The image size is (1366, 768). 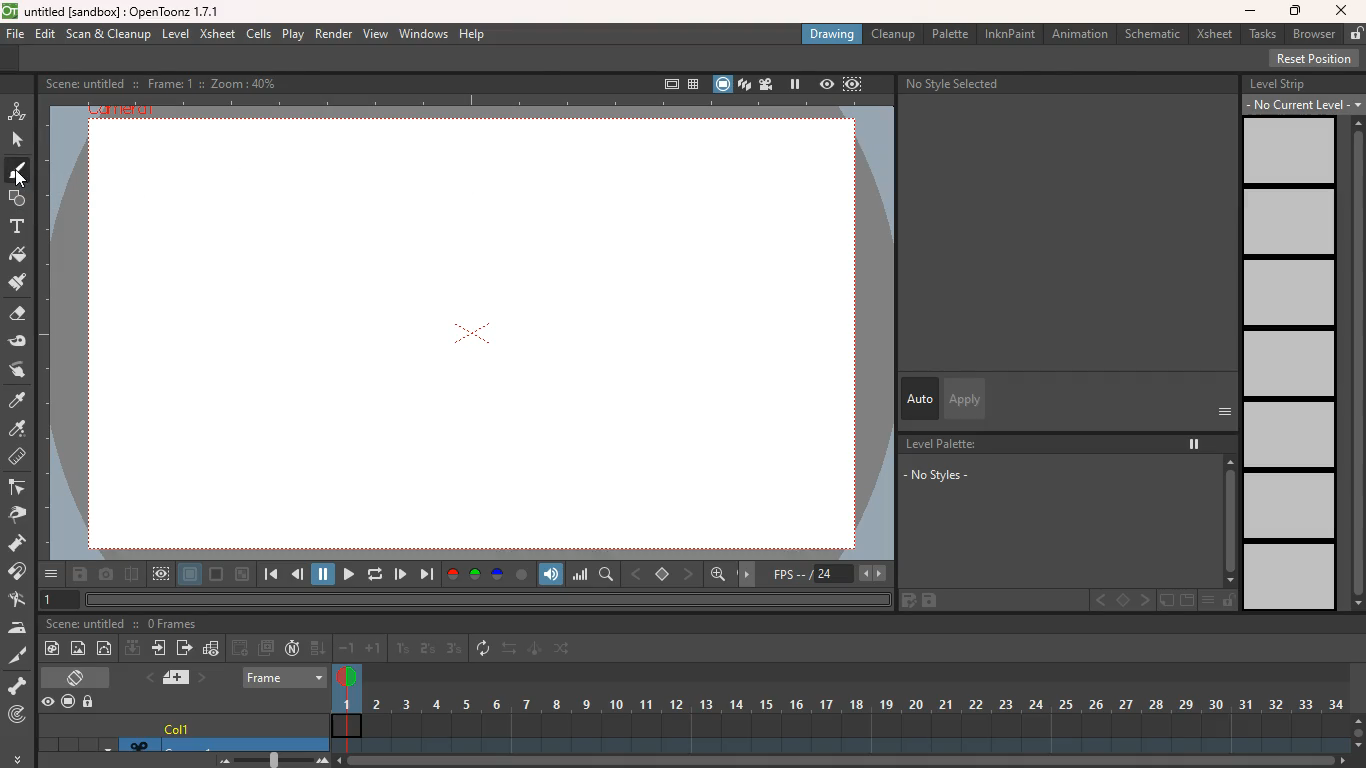 I want to click on minimize, so click(x=242, y=574).